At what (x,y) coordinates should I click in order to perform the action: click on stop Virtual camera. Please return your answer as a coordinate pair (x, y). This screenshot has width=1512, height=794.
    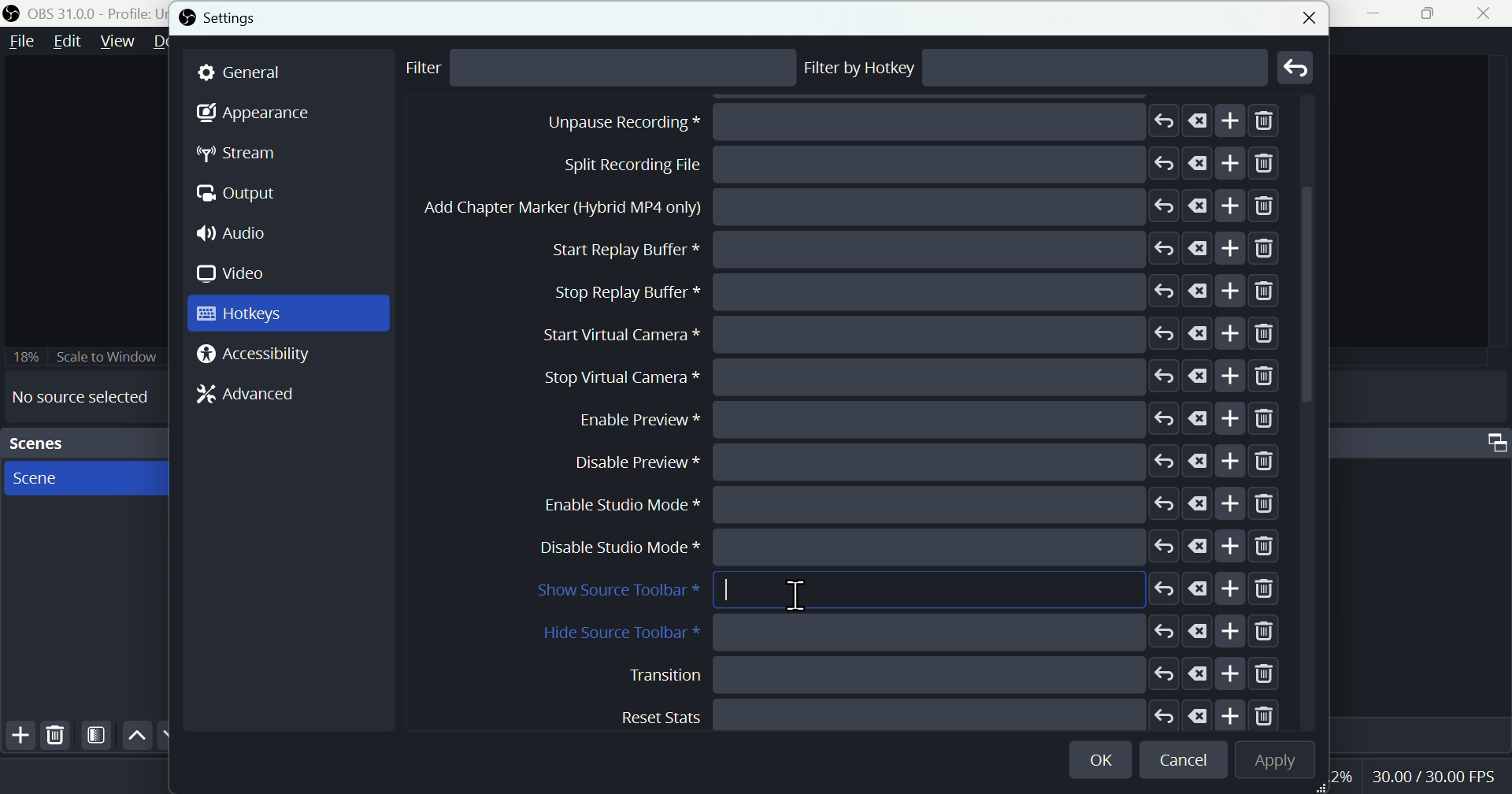
    Looking at the image, I should click on (906, 547).